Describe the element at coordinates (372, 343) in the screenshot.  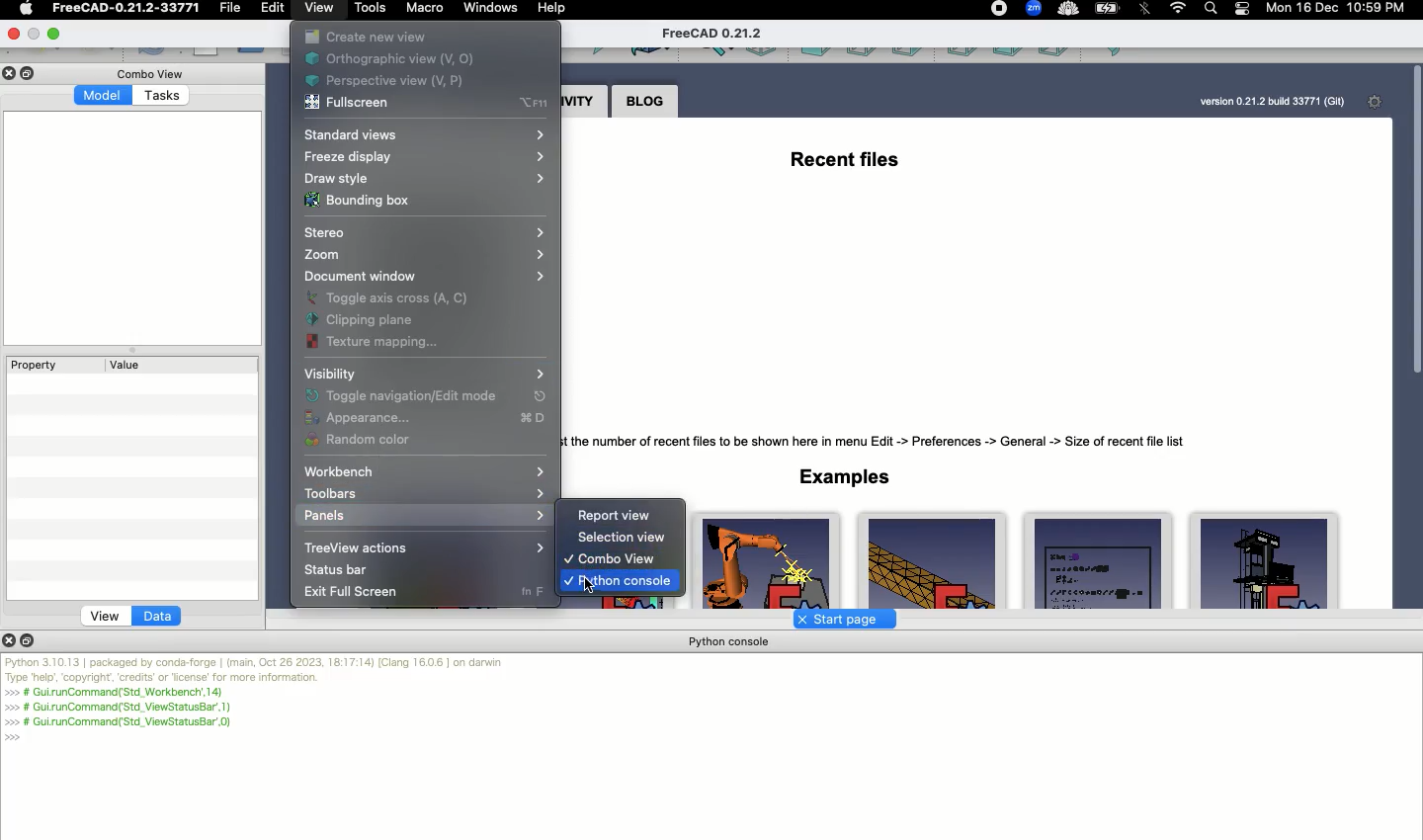
I see `Texture mapping` at that location.